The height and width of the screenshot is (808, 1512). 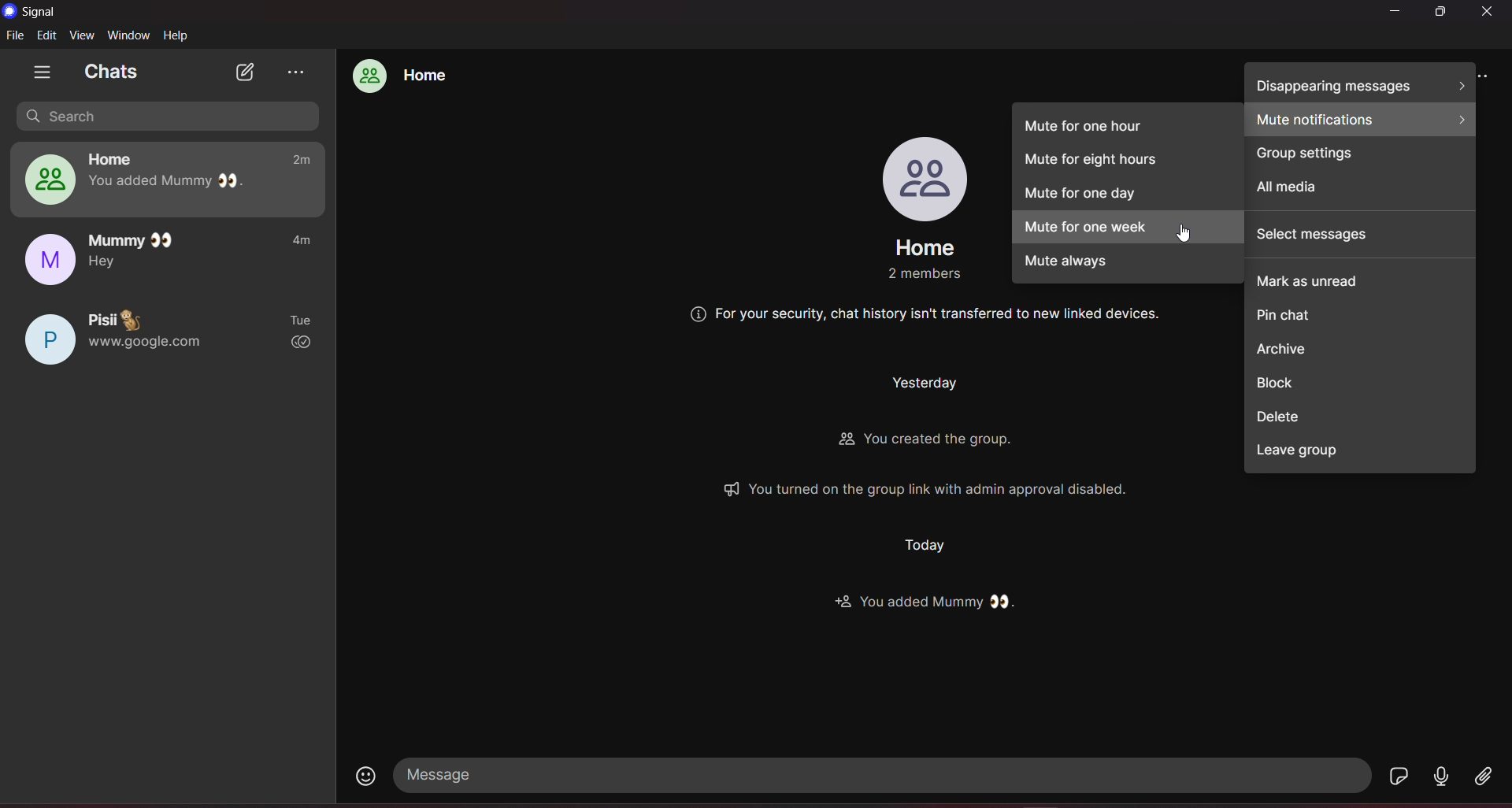 I want to click on group name, so click(x=926, y=247).